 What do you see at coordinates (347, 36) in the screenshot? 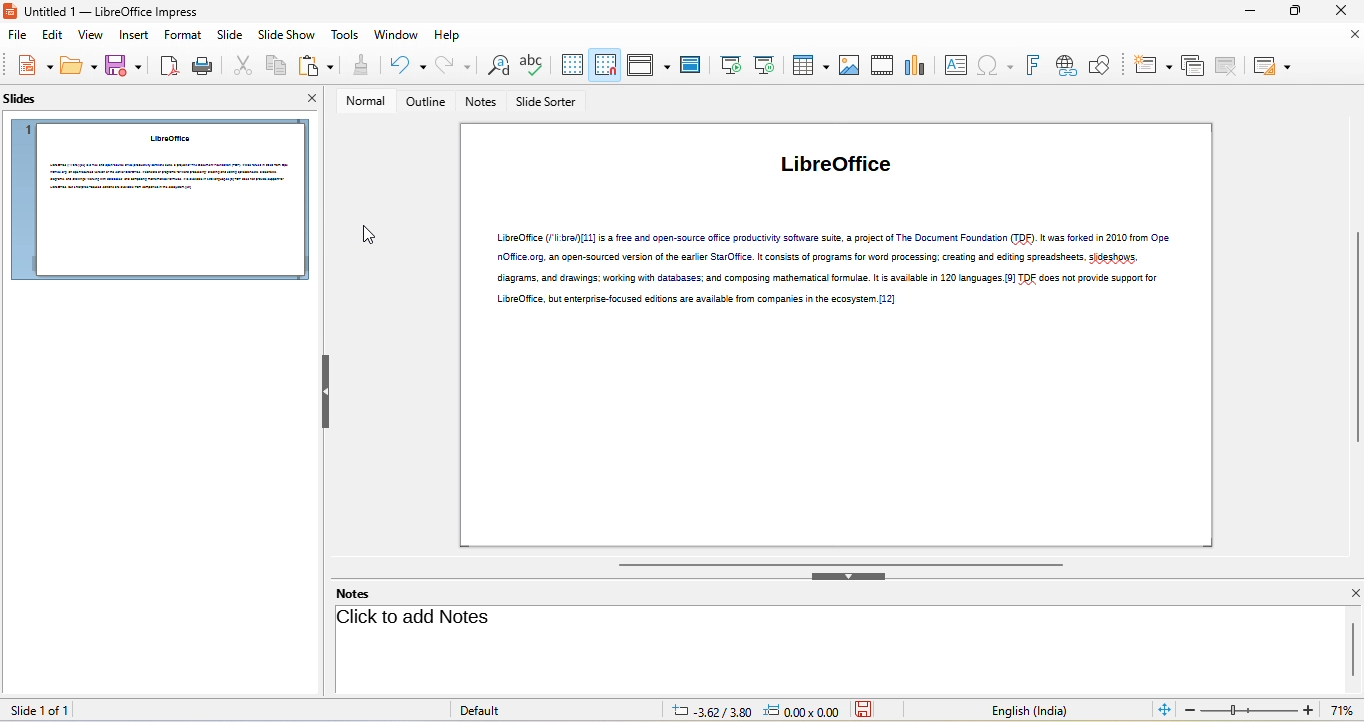
I see `tools` at bounding box center [347, 36].